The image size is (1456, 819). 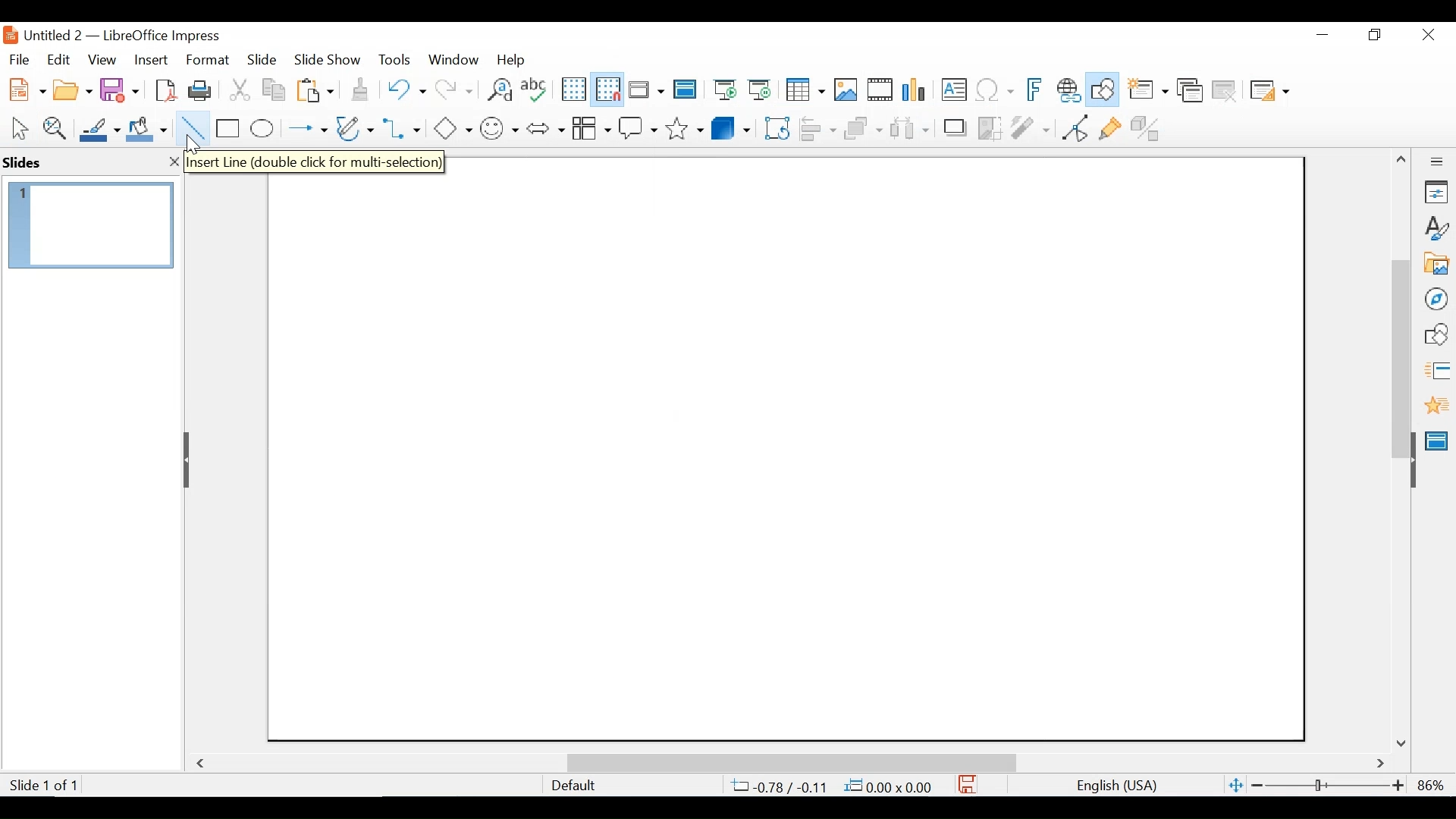 I want to click on Slide workspace, so click(x=788, y=448).